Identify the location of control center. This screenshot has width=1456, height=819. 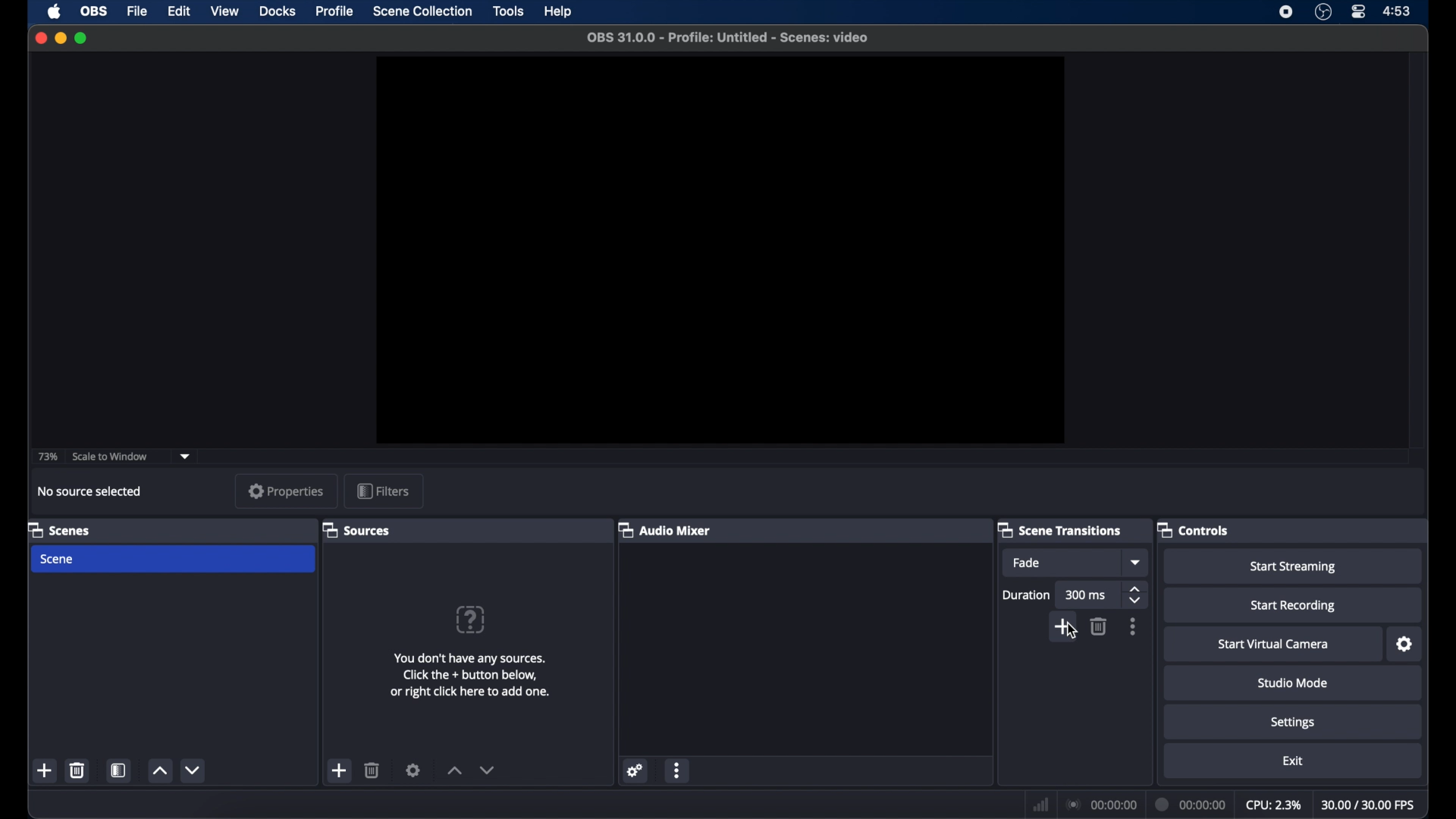
(1359, 12).